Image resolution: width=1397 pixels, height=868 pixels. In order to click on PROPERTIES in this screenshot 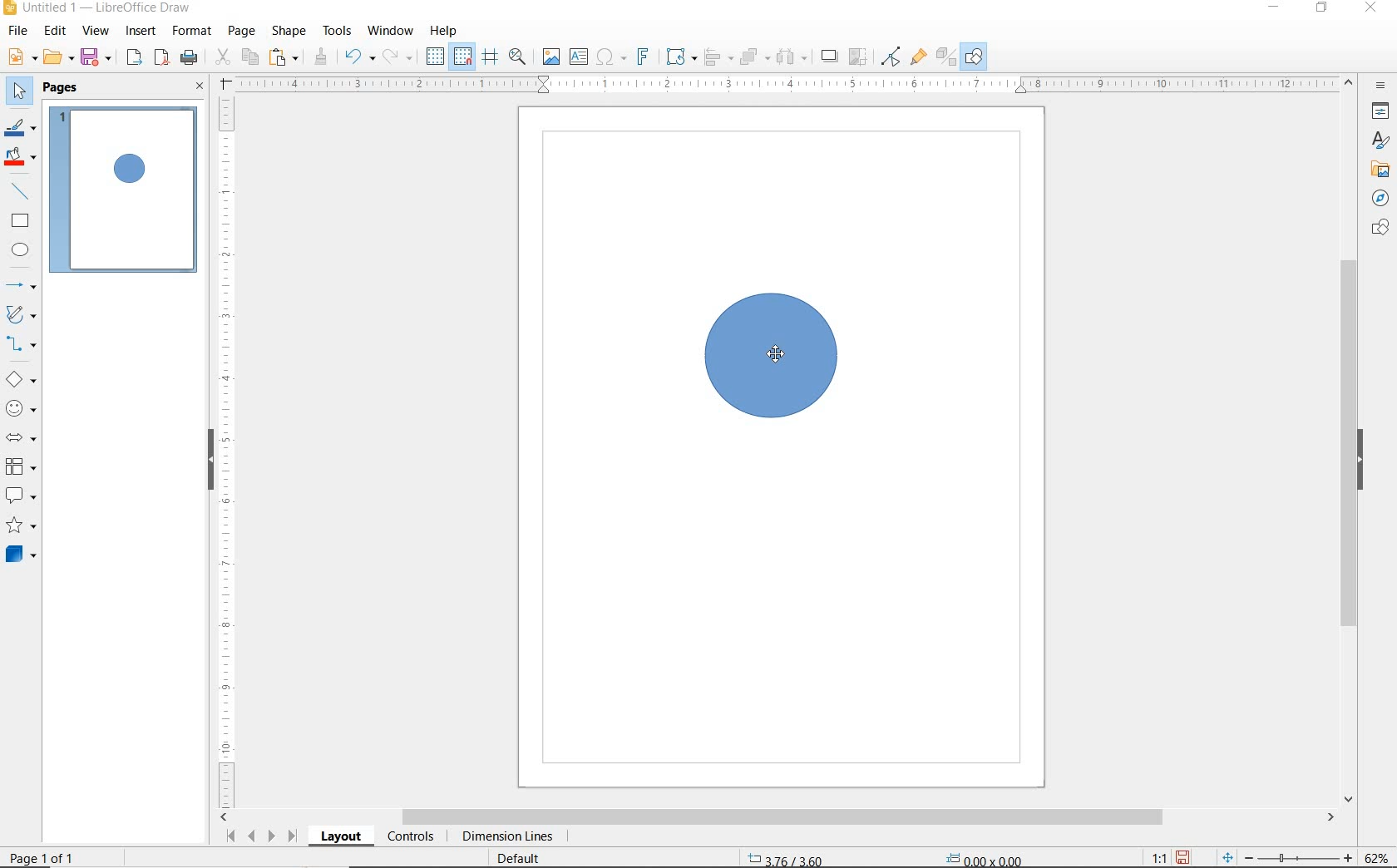, I will do `click(1382, 111)`.